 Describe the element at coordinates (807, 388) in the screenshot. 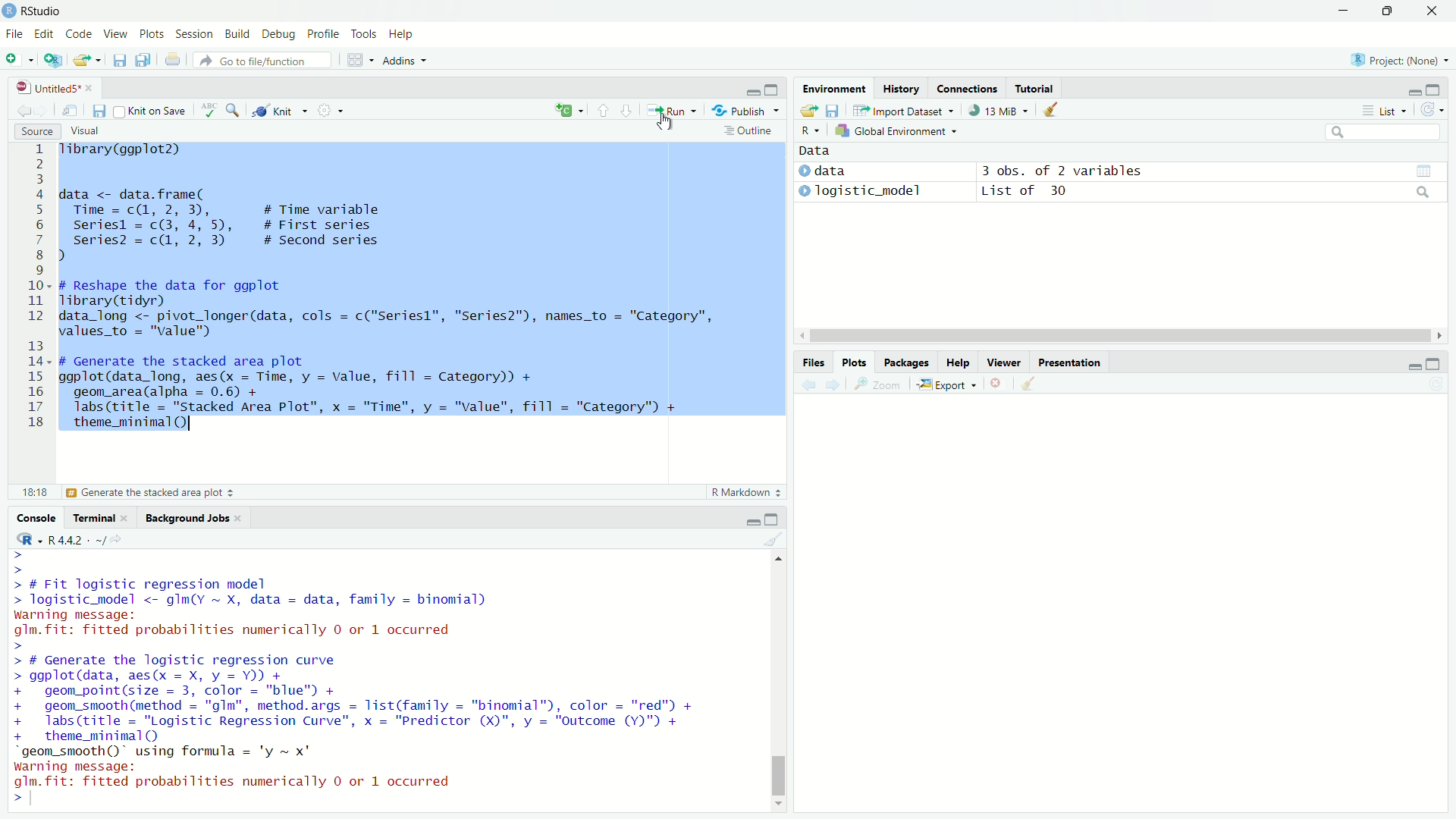

I see `back` at that location.